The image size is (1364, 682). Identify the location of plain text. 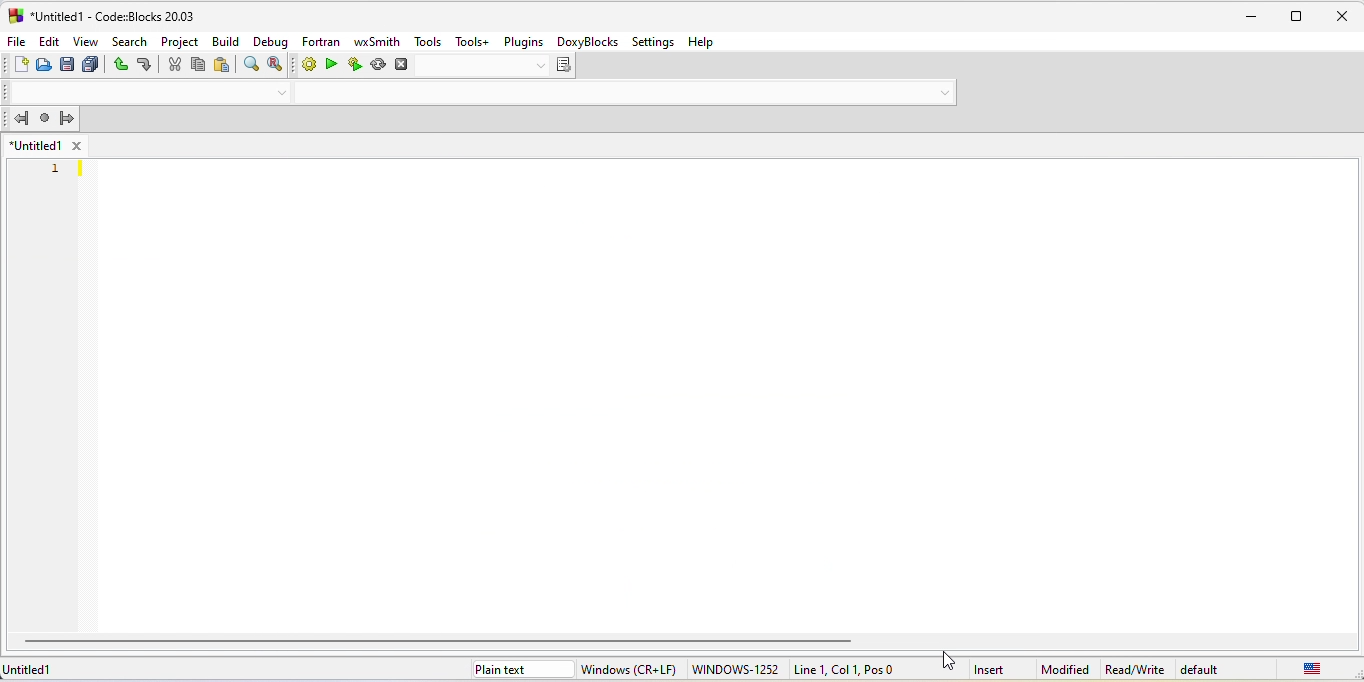
(523, 669).